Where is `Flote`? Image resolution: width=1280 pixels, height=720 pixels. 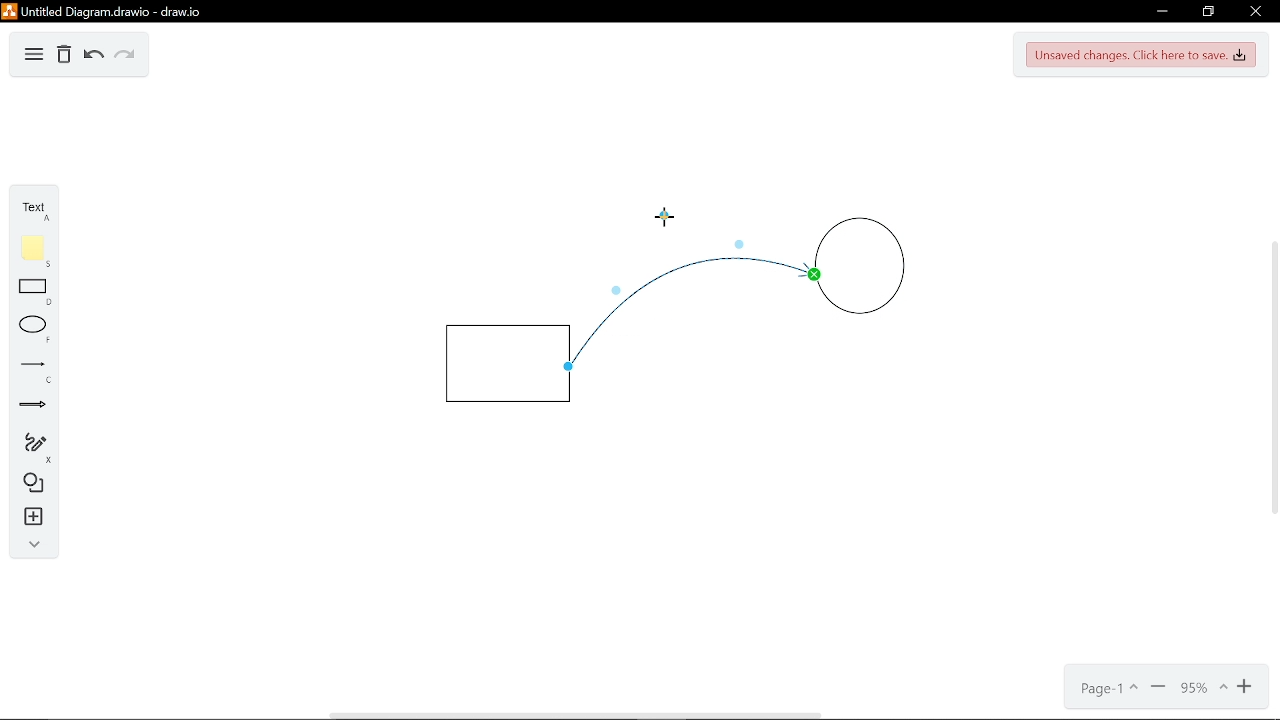 Flote is located at coordinates (30, 251).